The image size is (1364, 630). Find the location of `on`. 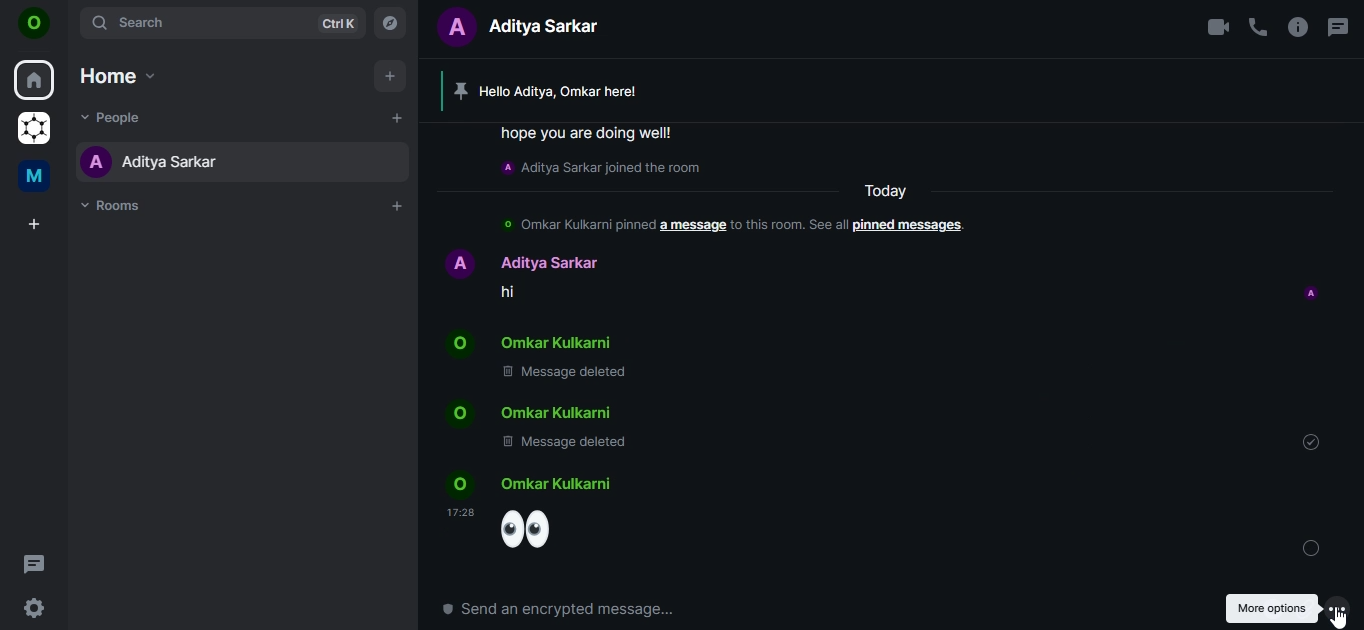

on is located at coordinates (38, 24).